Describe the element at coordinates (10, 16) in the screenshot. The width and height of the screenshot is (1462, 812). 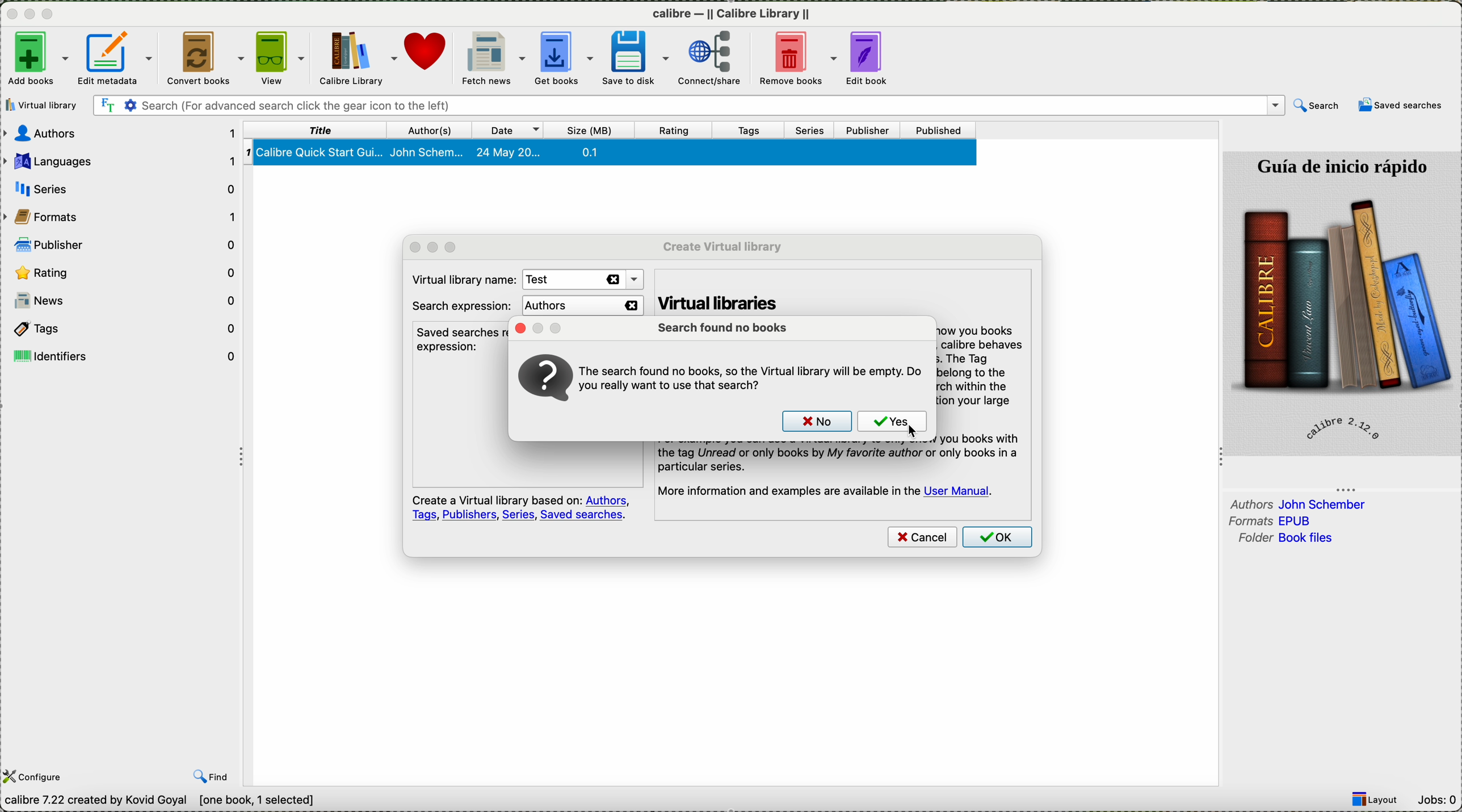
I see `close` at that location.